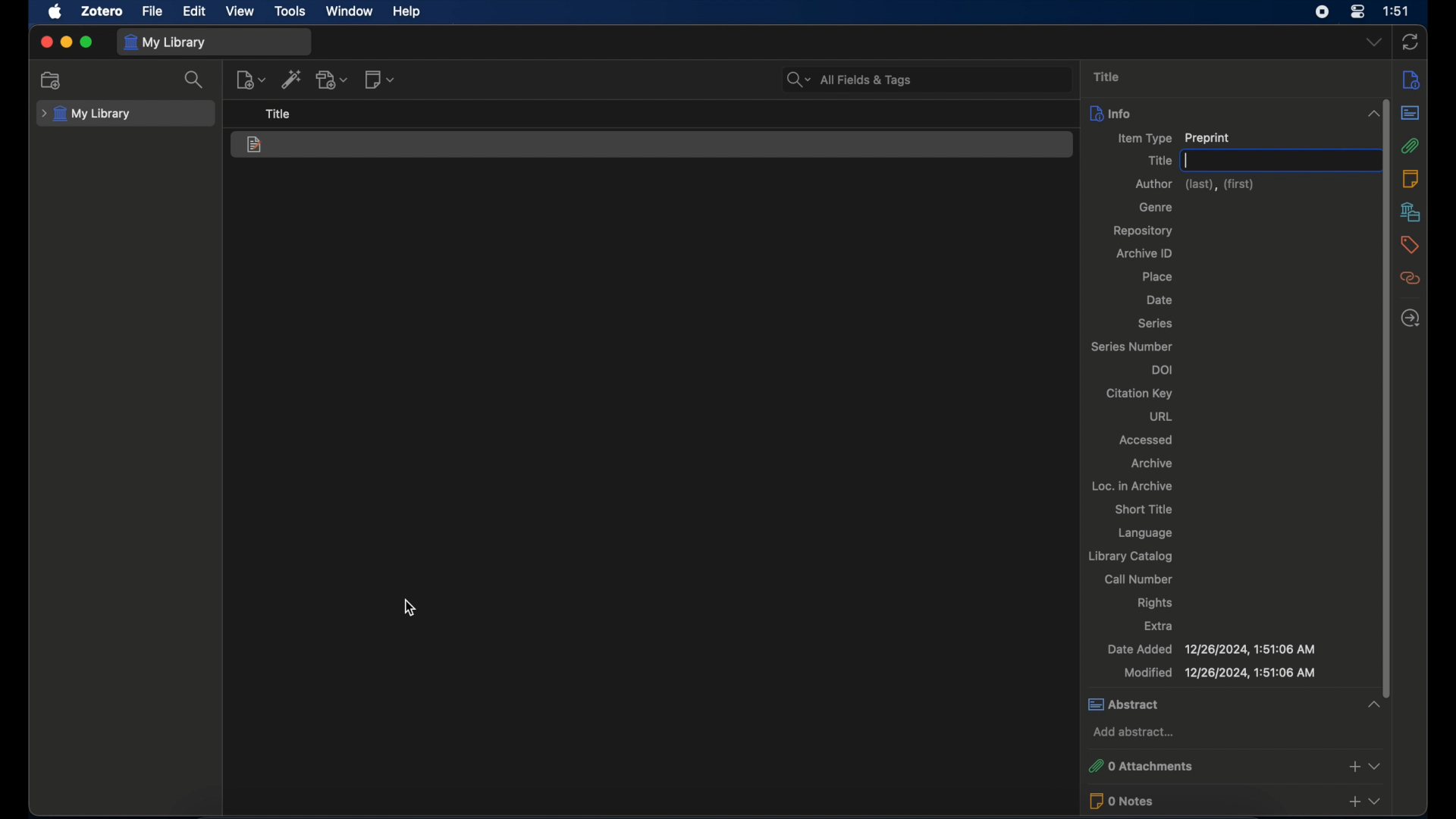  What do you see at coordinates (1410, 278) in the screenshot?
I see `related` at bounding box center [1410, 278].